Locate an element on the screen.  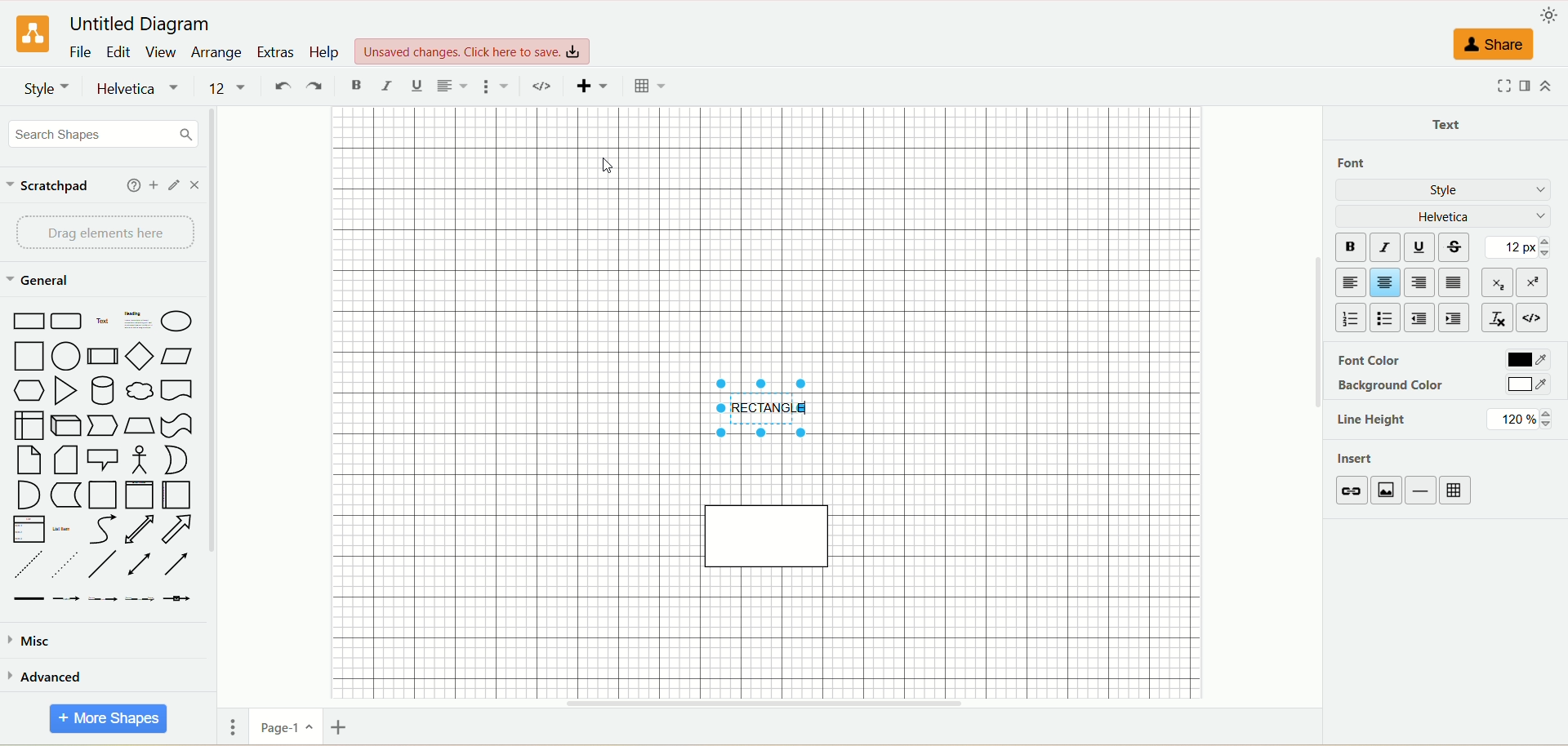
bold is located at coordinates (1353, 246).